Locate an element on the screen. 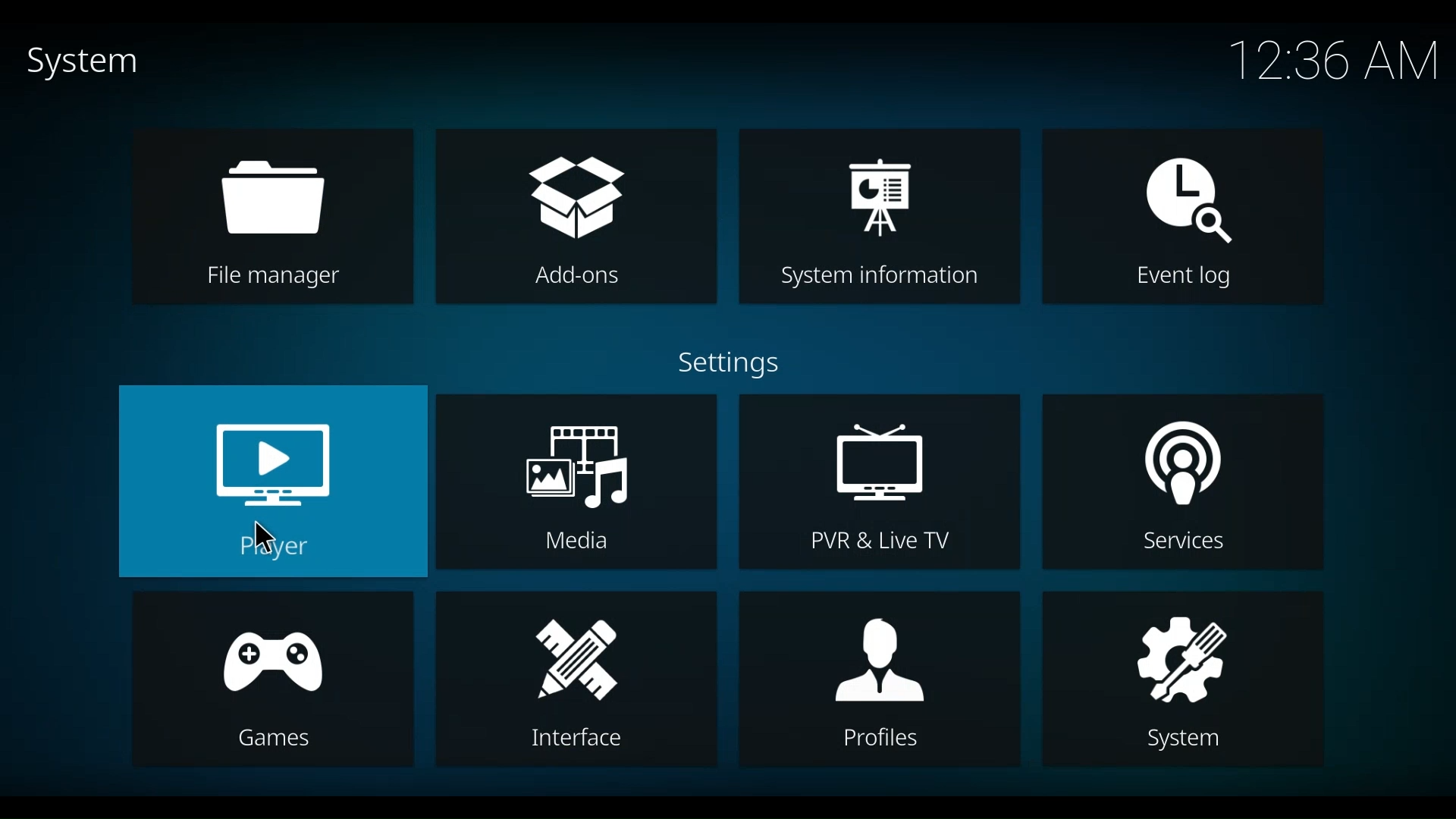 This screenshot has width=1456, height=819. Settings is located at coordinates (742, 366).